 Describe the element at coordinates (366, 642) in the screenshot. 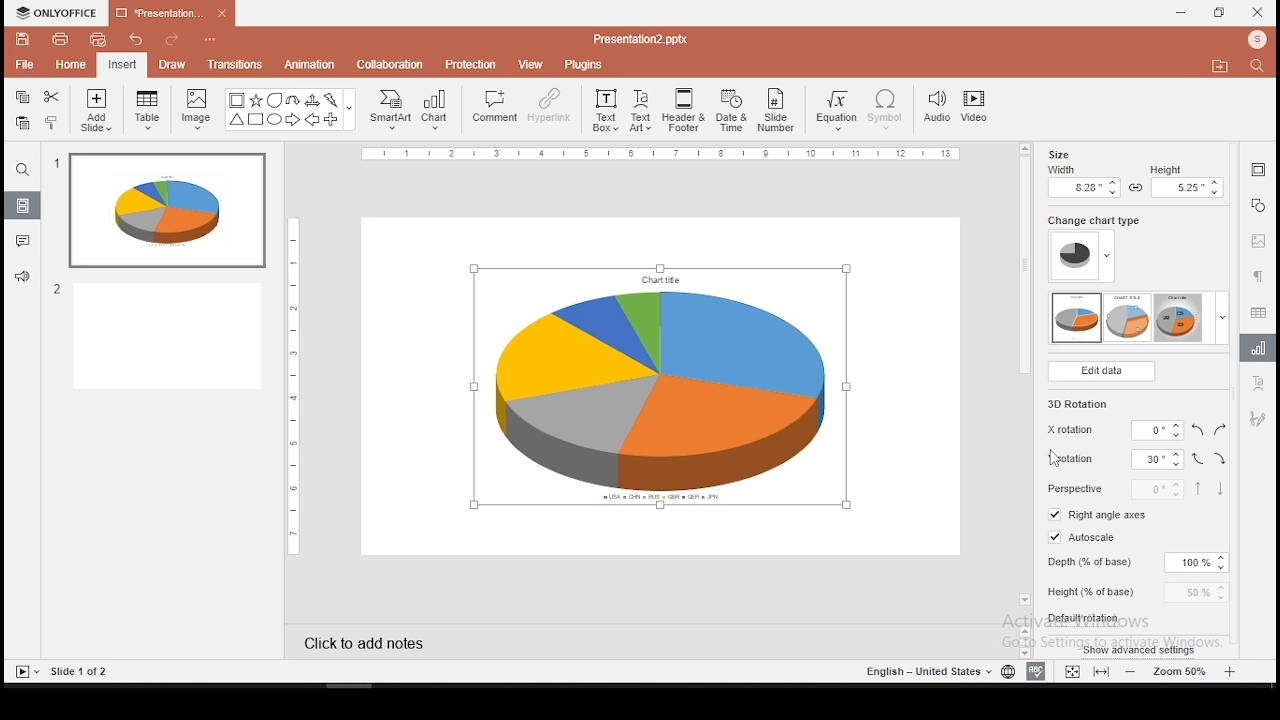

I see `click to add notes` at that location.